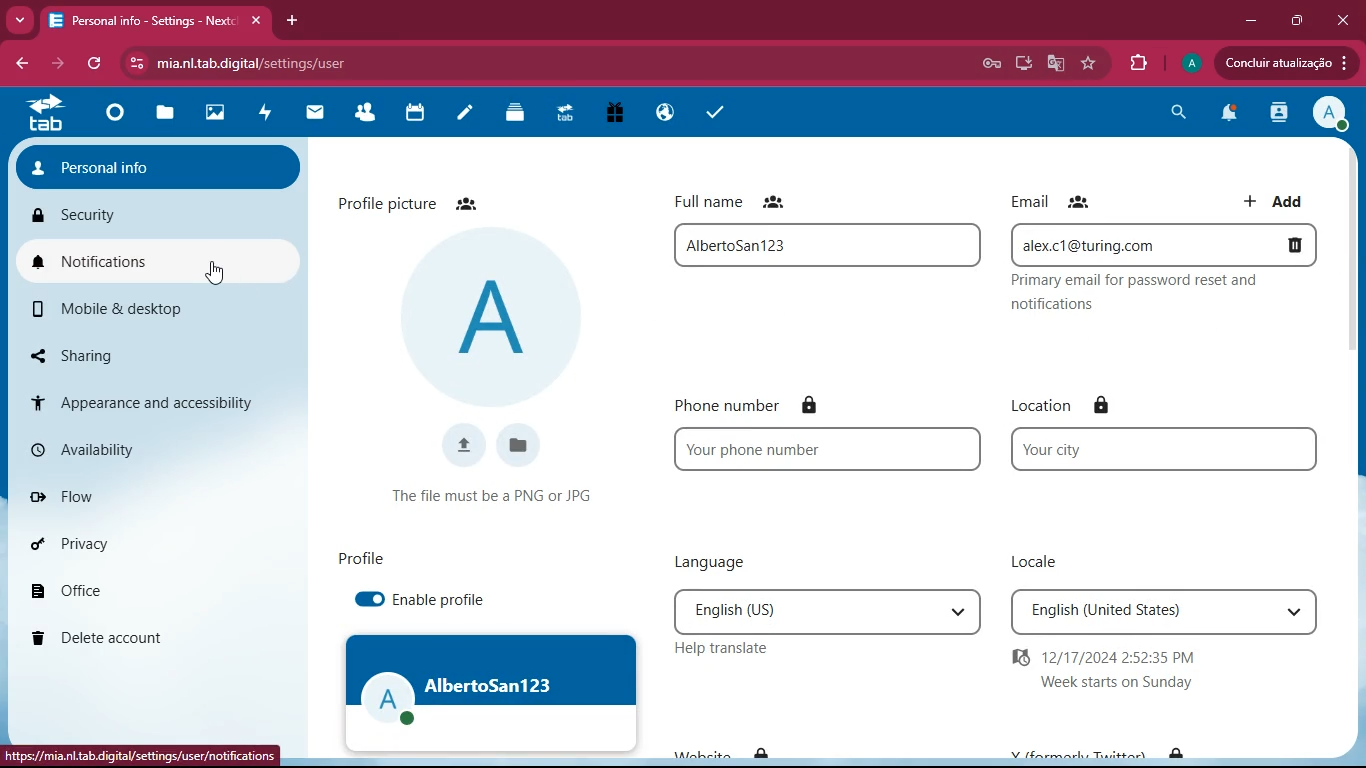 This screenshot has height=768, width=1366. What do you see at coordinates (265, 115) in the screenshot?
I see `activity` at bounding box center [265, 115].